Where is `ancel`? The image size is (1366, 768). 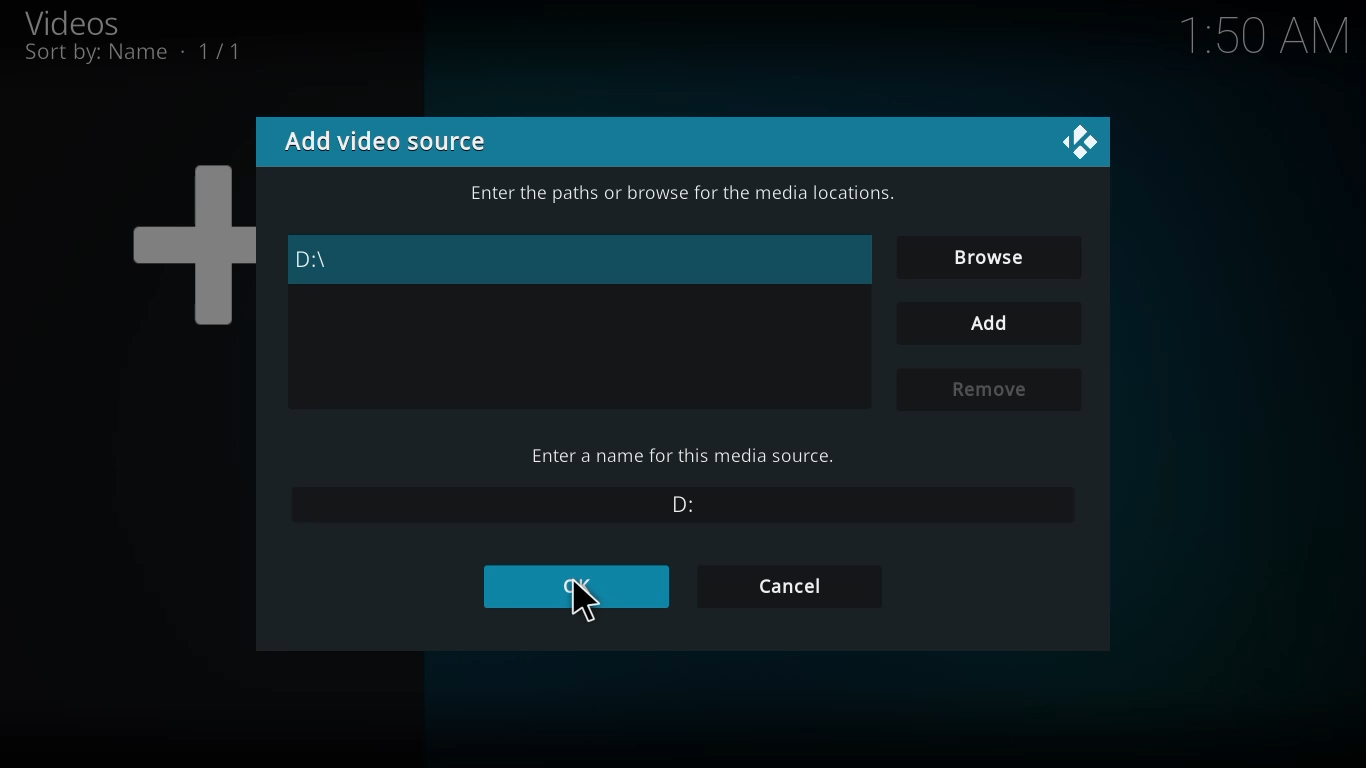
ancel is located at coordinates (794, 585).